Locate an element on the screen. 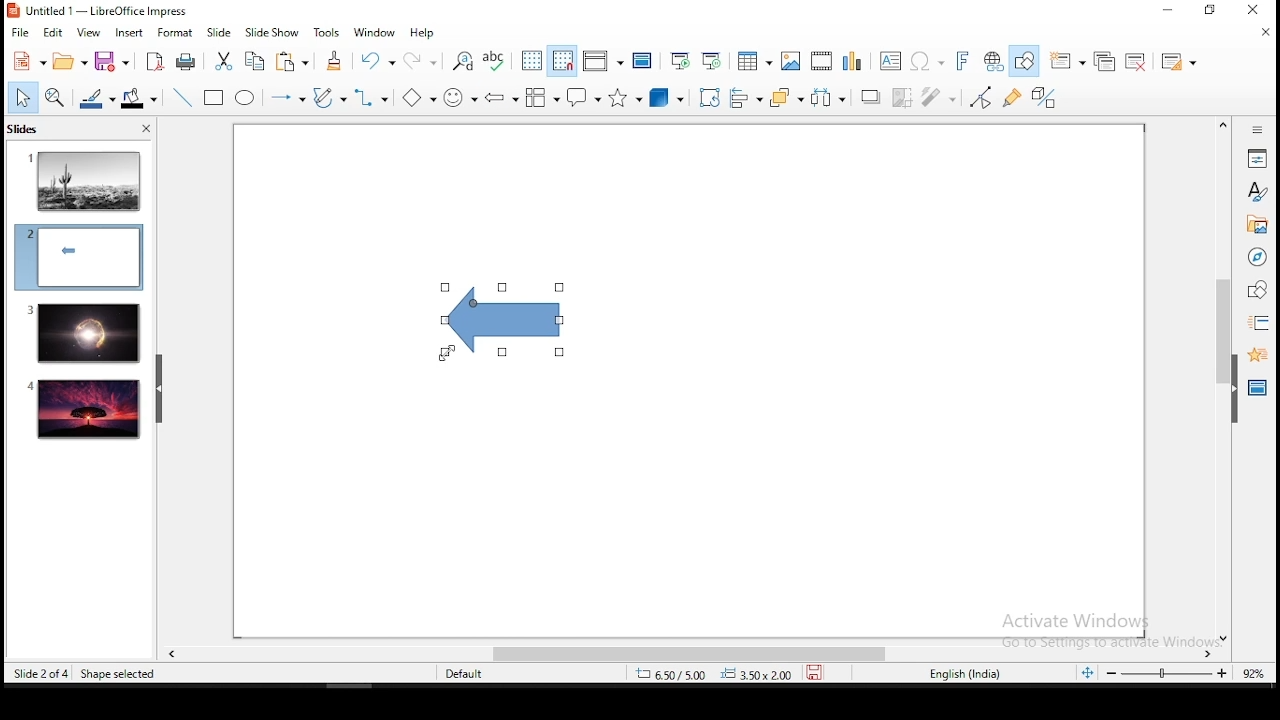 This screenshot has height=720, width=1280. images is located at coordinates (790, 61).